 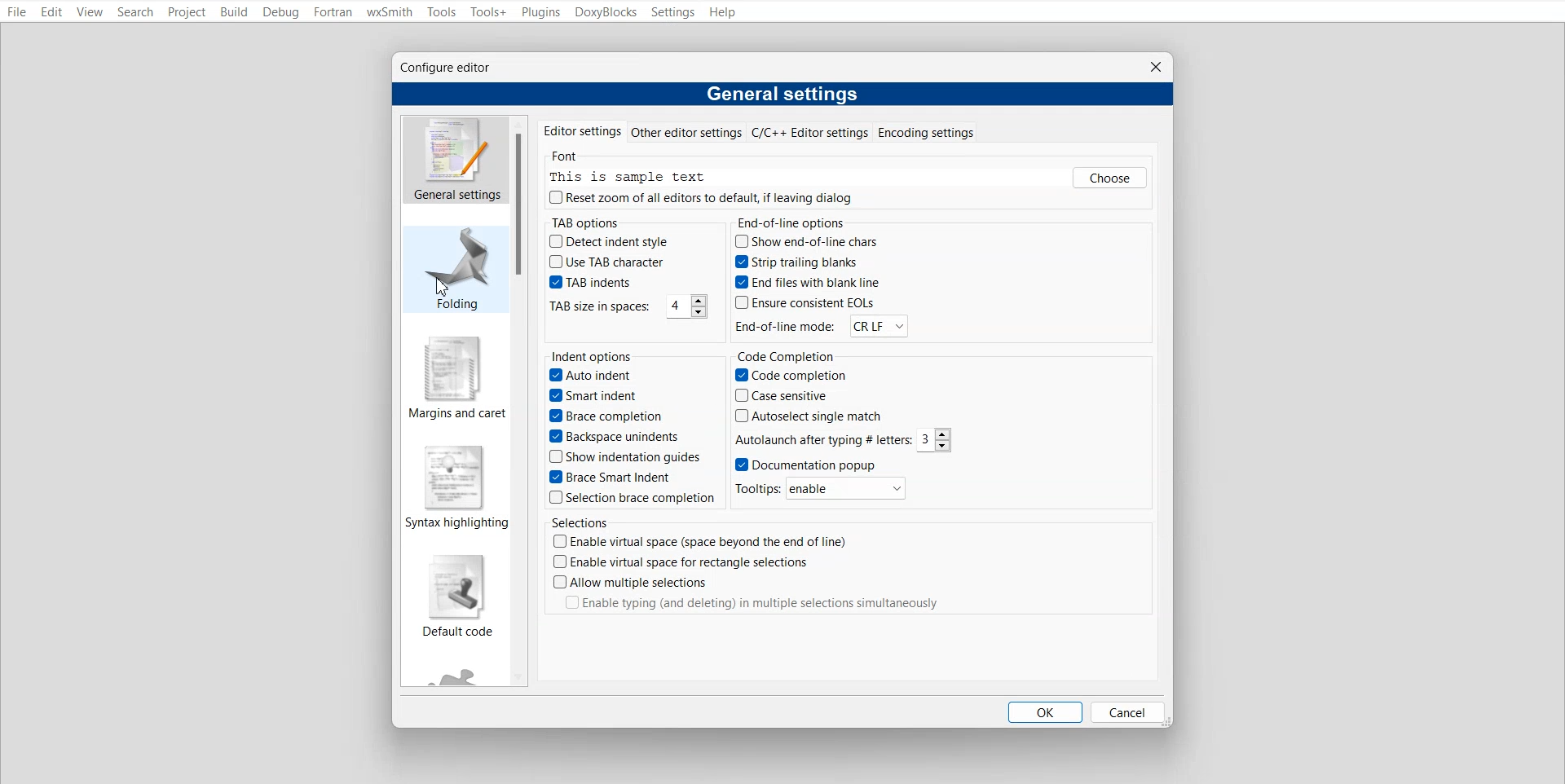 What do you see at coordinates (135, 12) in the screenshot?
I see `Search` at bounding box center [135, 12].